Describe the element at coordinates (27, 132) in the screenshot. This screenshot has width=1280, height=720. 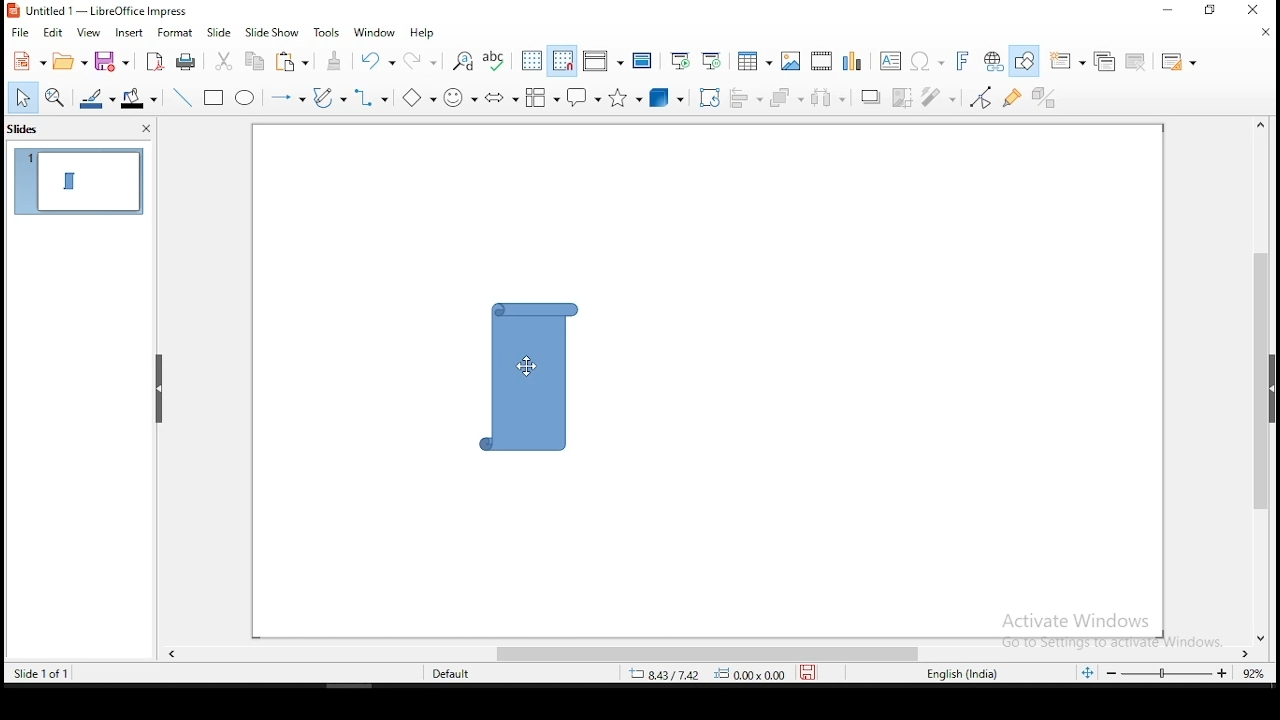
I see `slides` at that location.